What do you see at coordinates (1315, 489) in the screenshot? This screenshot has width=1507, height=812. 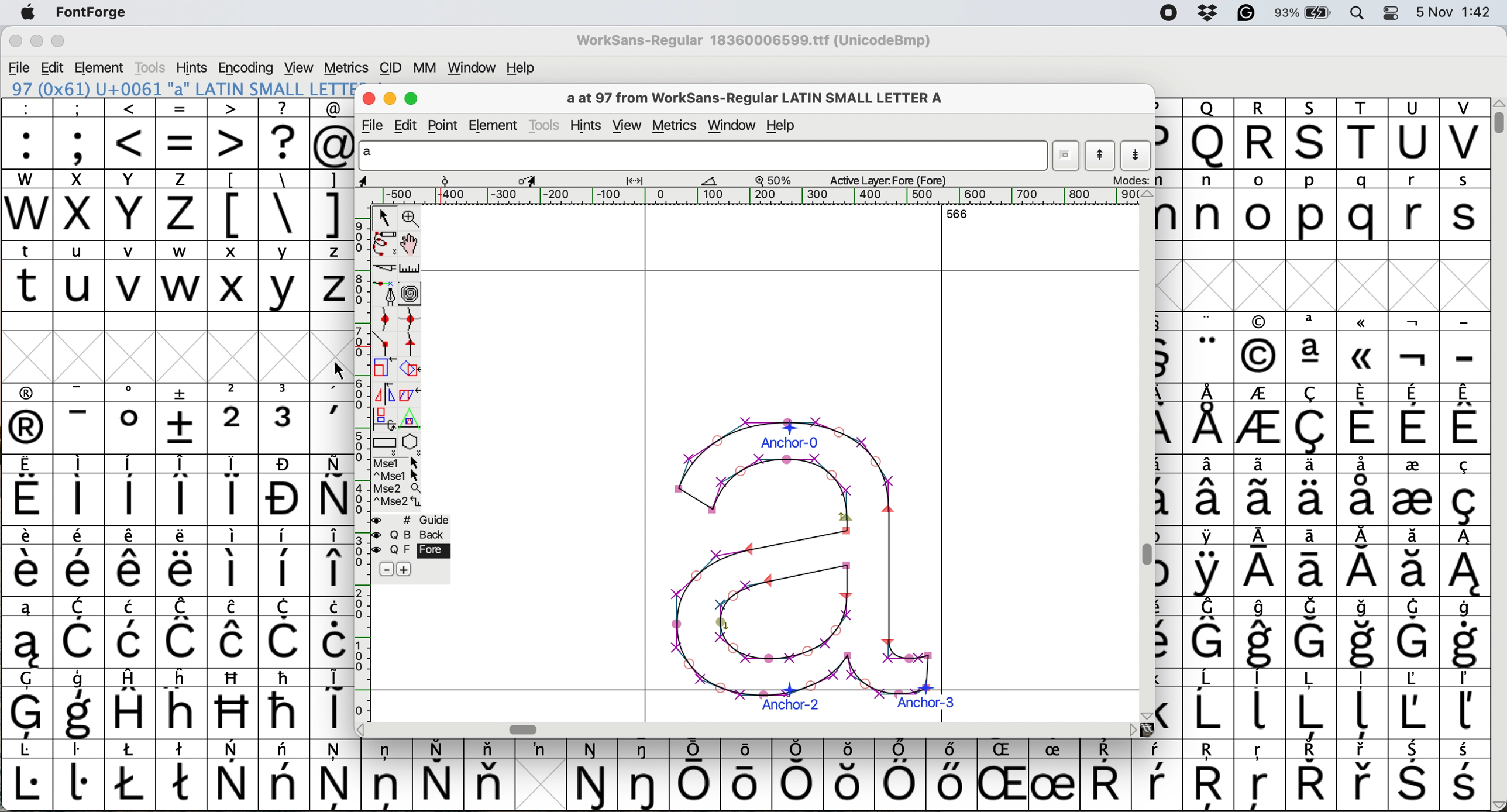 I see `symbol` at bounding box center [1315, 489].